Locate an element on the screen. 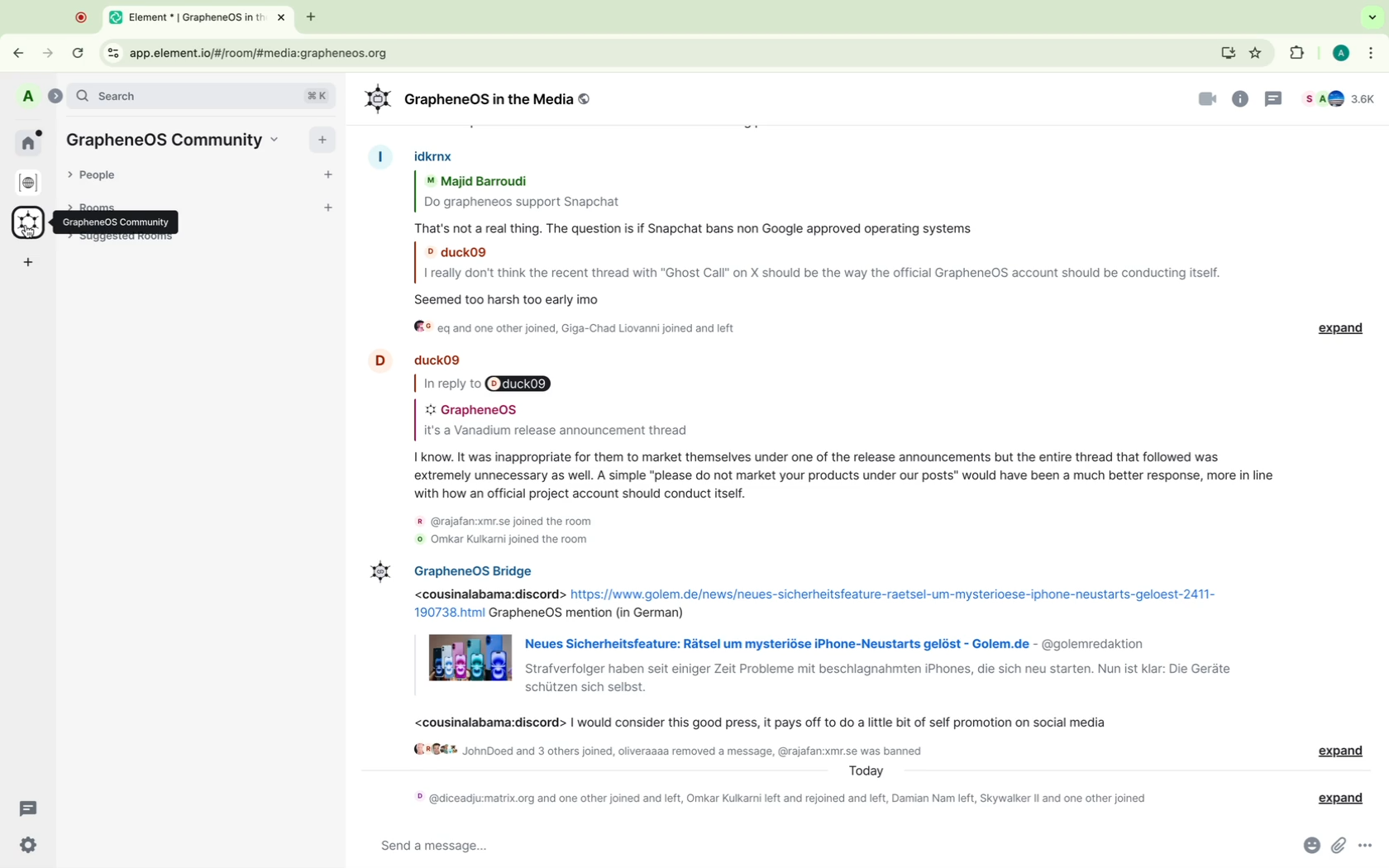 The width and height of the screenshot is (1389, 868). favorites is located at coordinates (1259, 53).